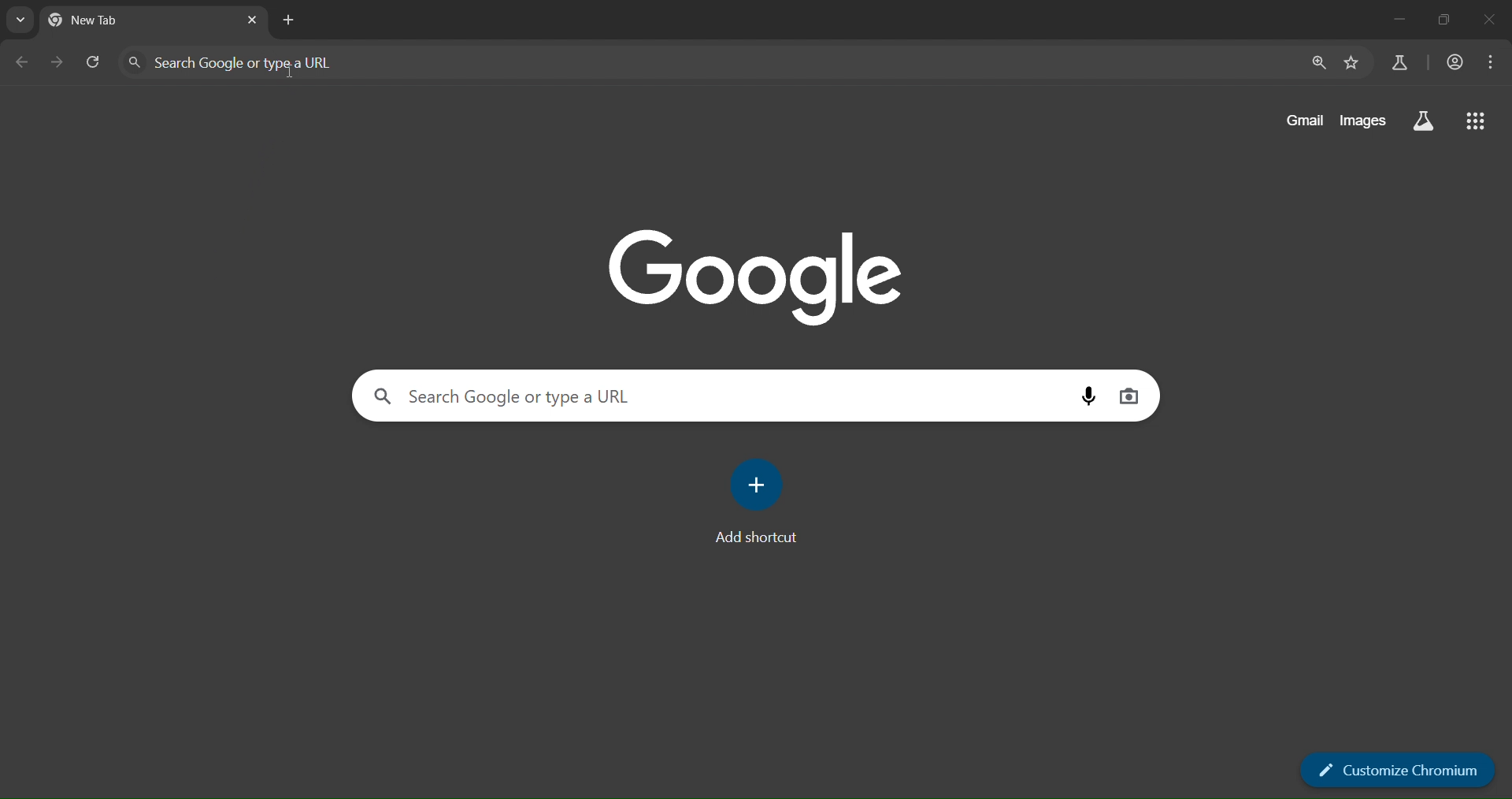 This screenshot has height=799, width=1512. Describe the element at coordinates (1395, 771) in the screenshot. I see `customize chromium` at that location.